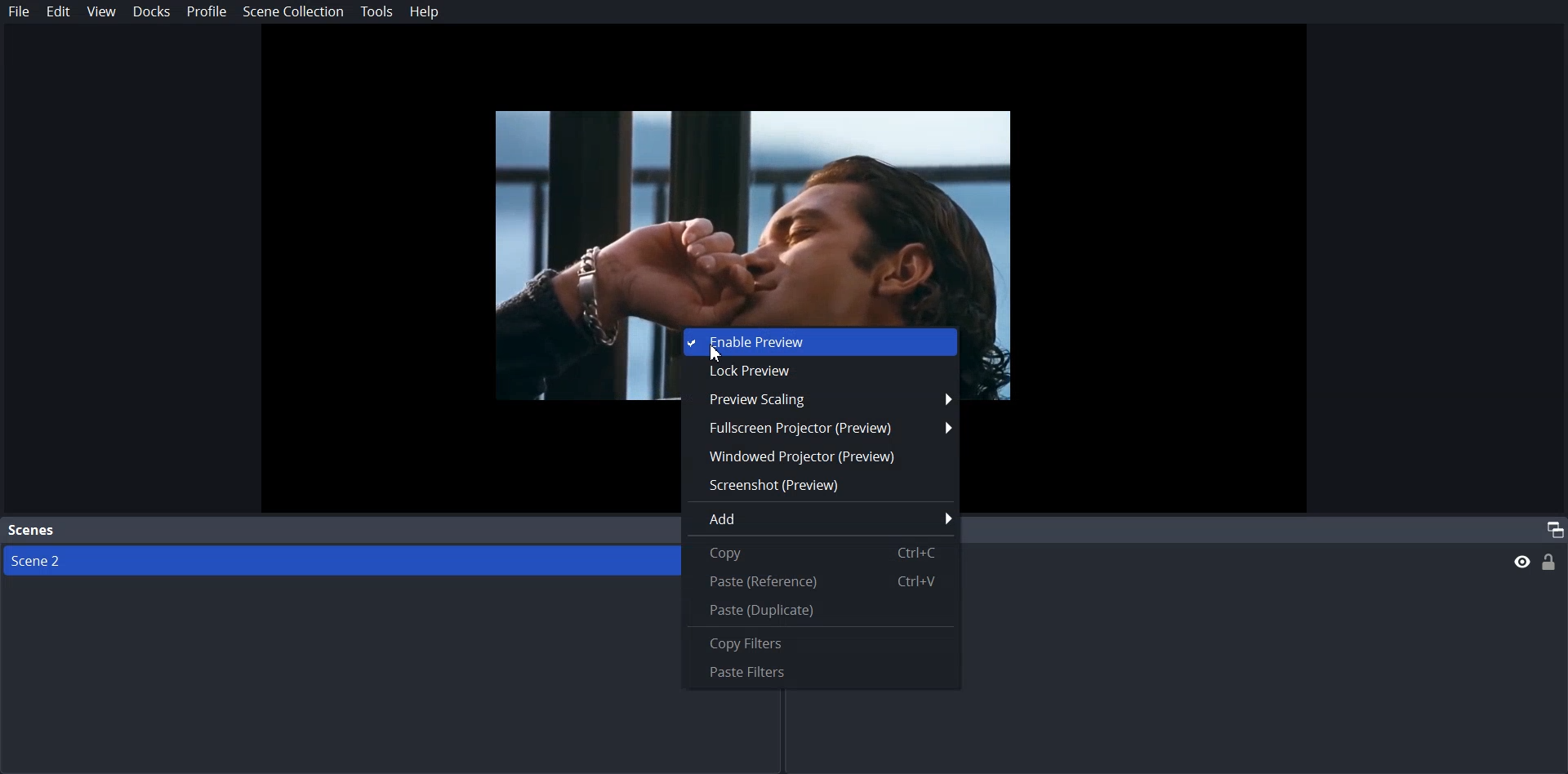  I want to click on Add, so click(821, 518).